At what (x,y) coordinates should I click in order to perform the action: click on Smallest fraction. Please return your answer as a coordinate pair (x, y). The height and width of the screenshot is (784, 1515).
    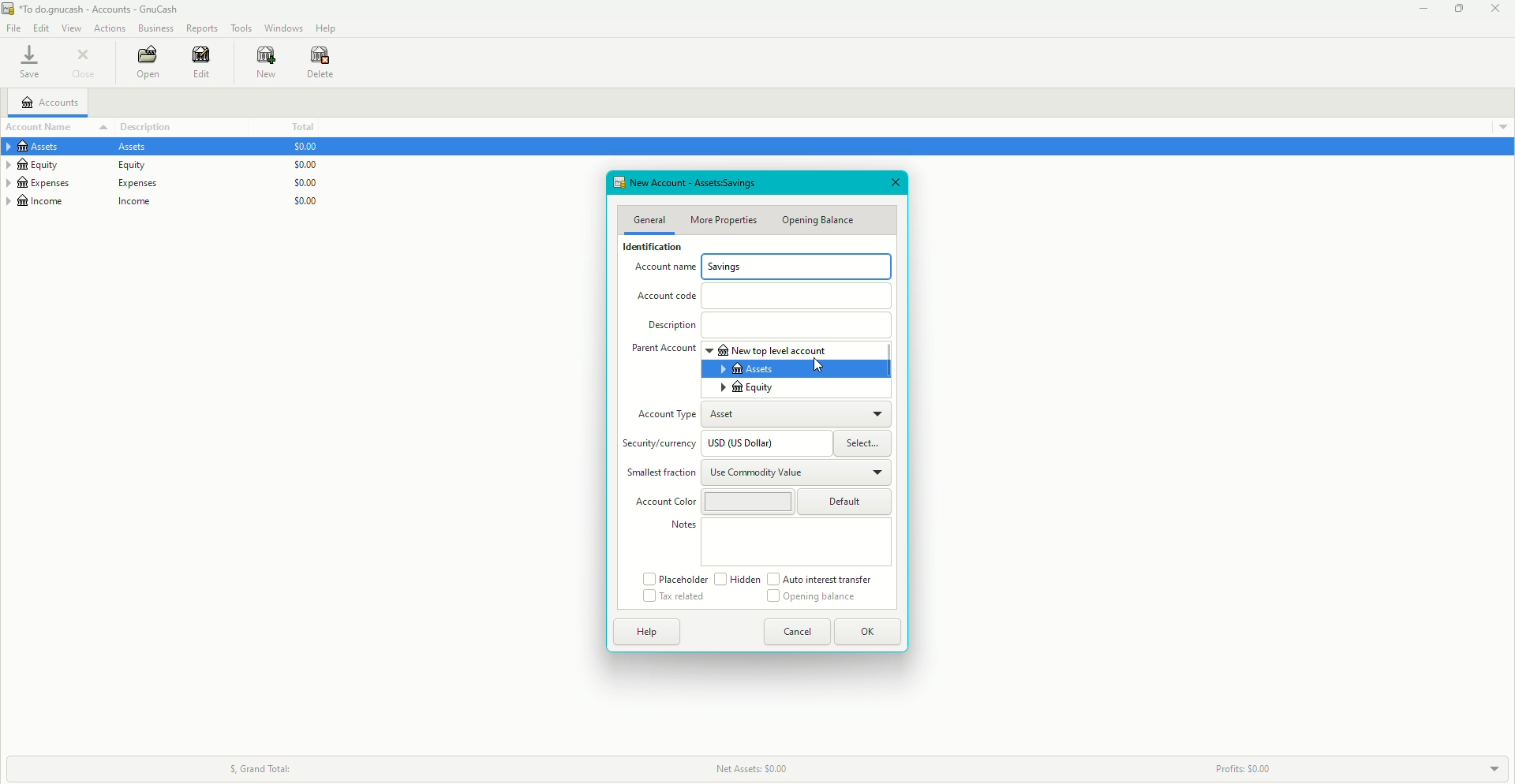
    Looking at the image, I should click on (657, 473).